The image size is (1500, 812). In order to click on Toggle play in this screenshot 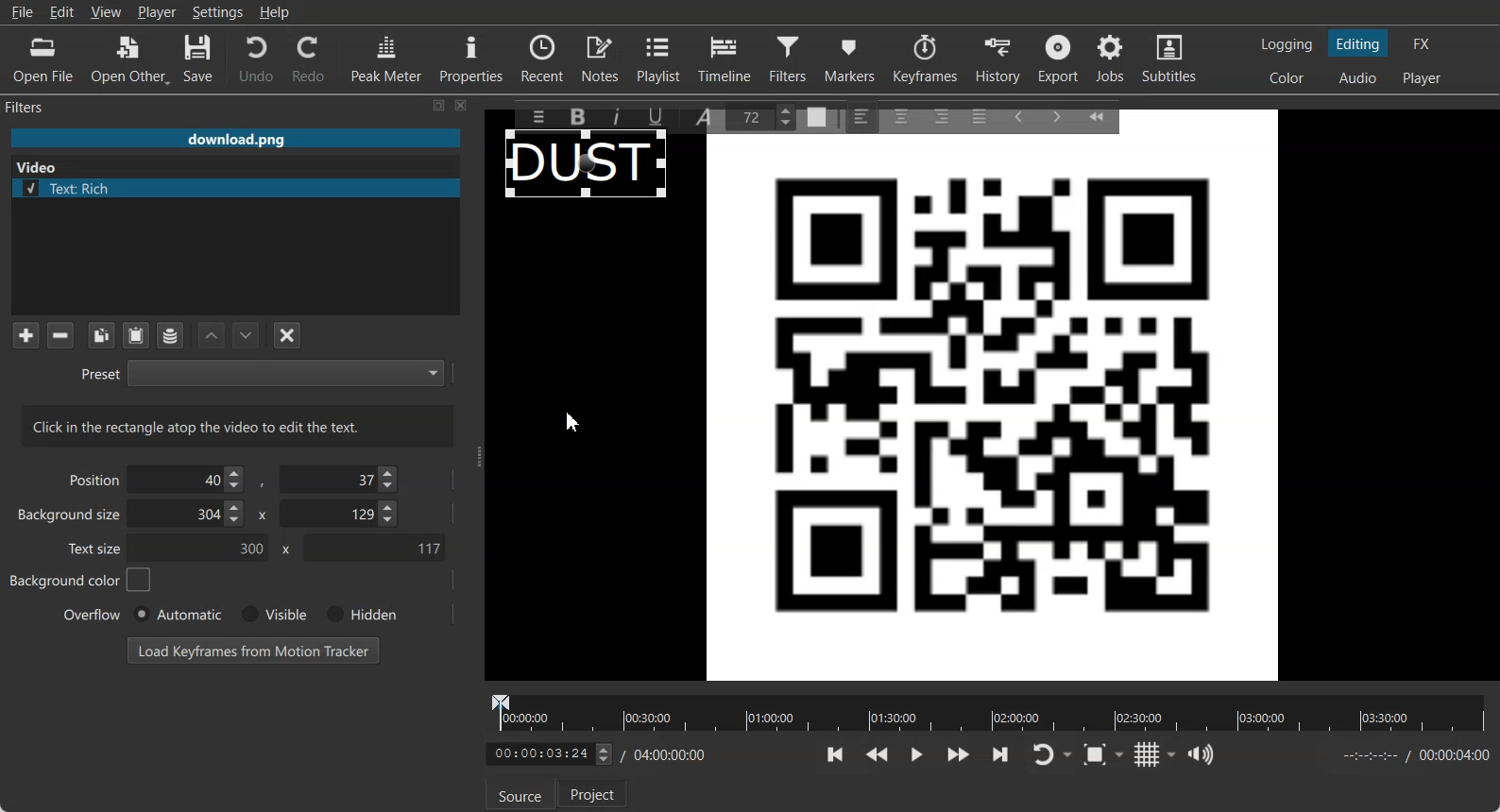, I will do `click(917, 754)`.